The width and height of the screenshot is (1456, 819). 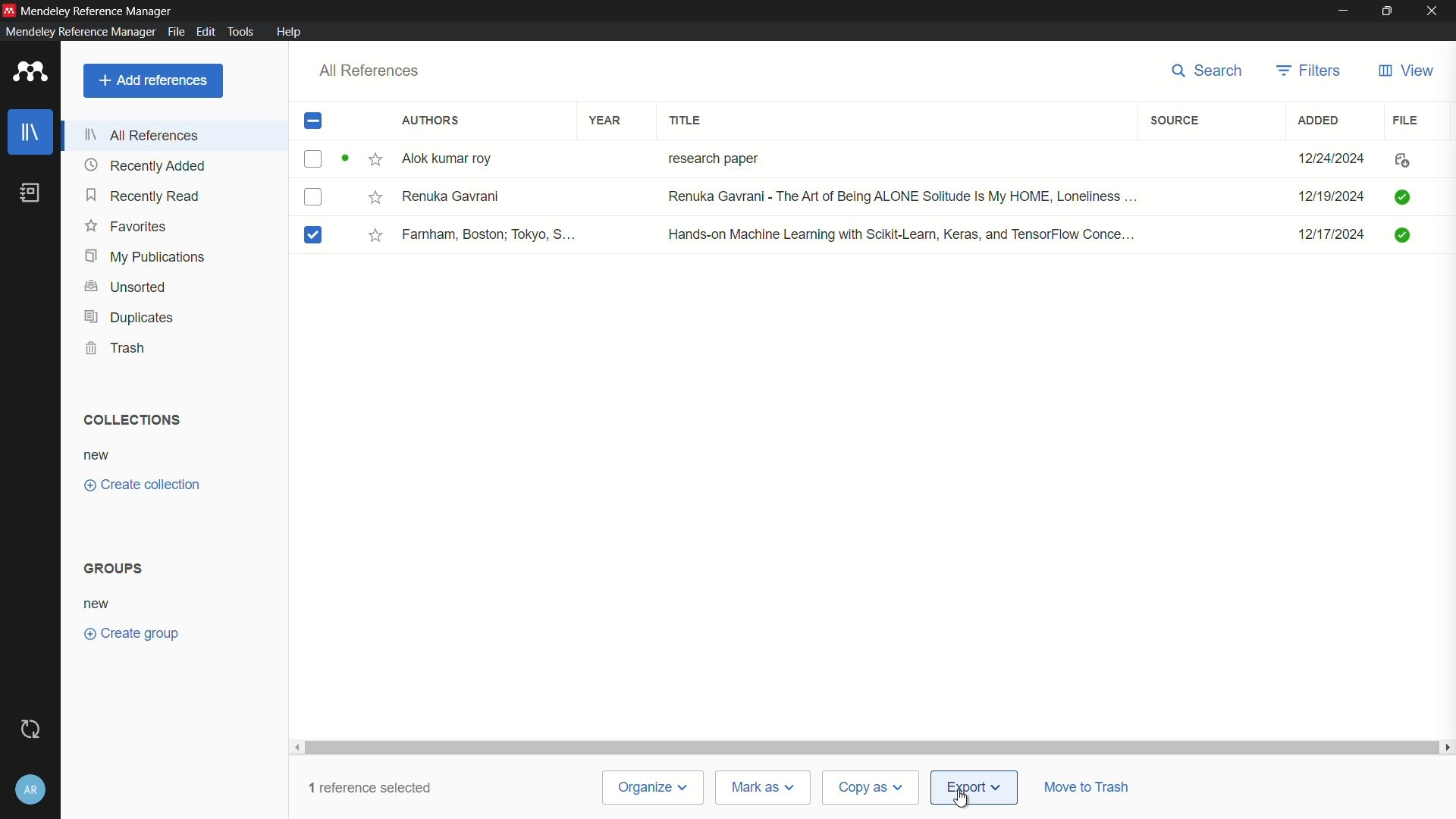 I want to click on close app, so click(x=1435, y=11).